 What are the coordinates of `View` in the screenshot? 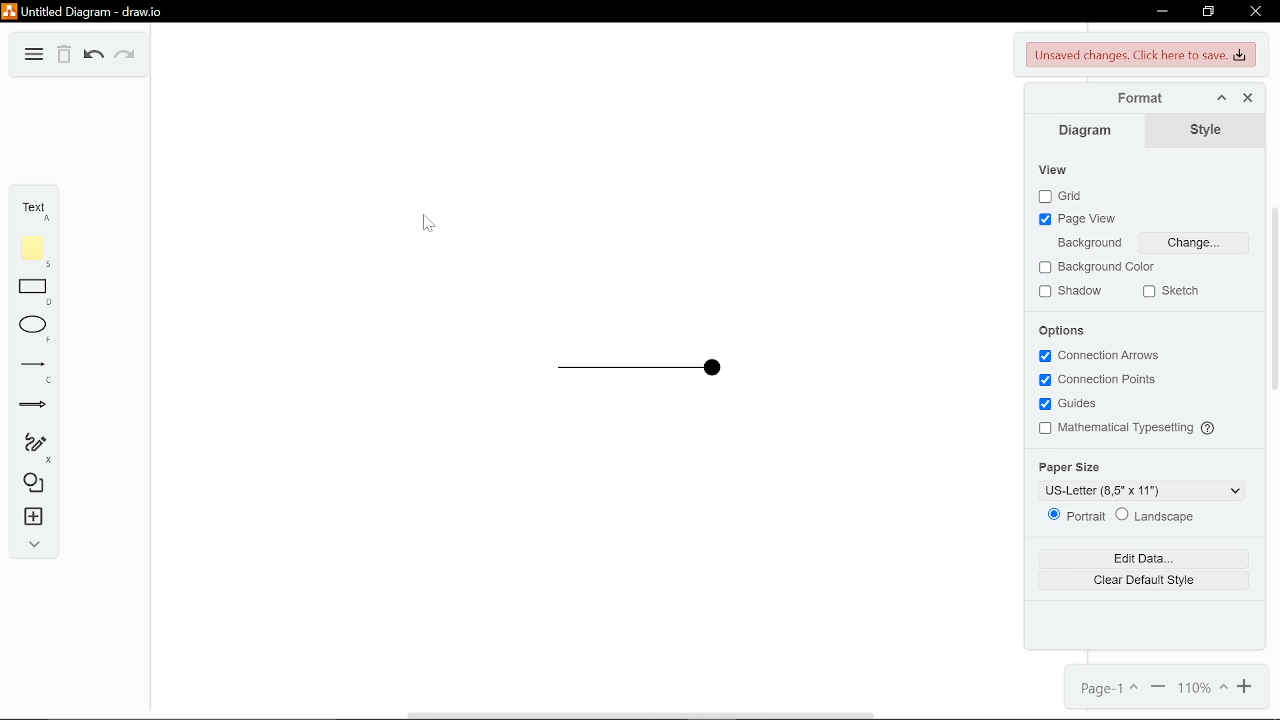 It's located at (1065, 171).